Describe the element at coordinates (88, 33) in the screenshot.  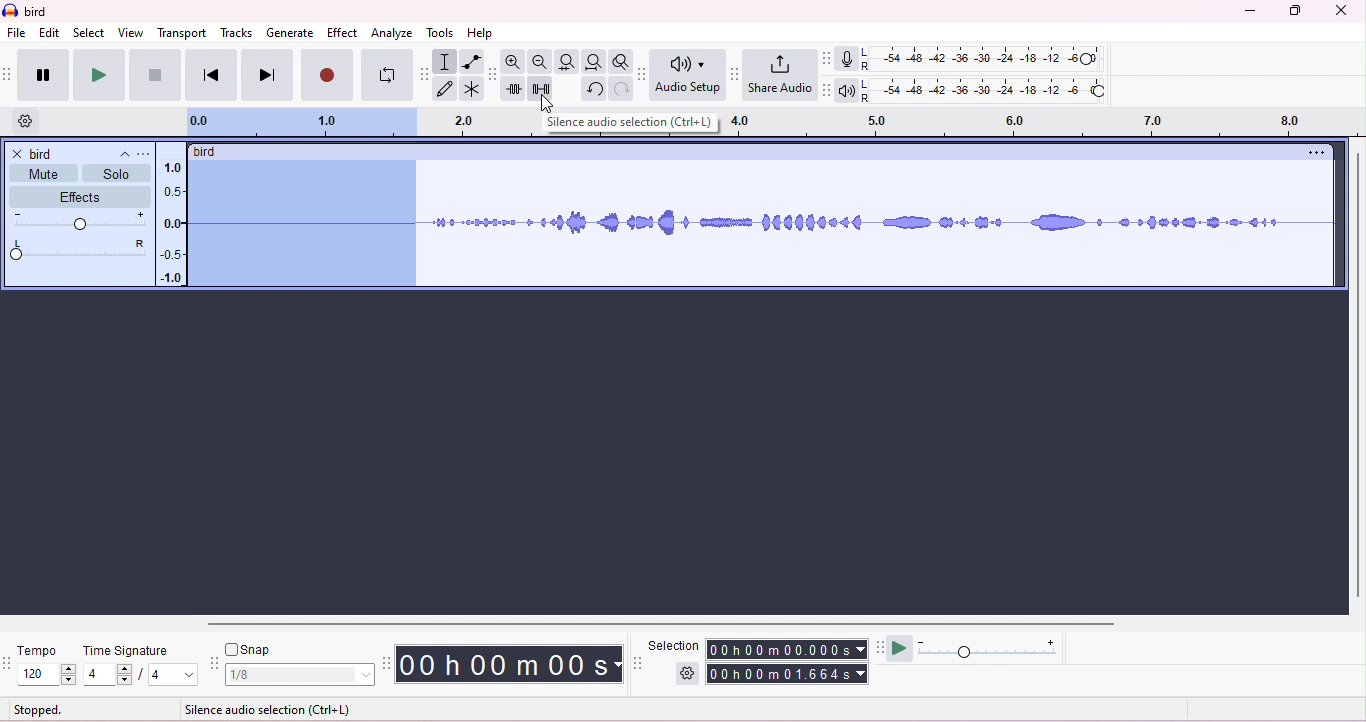
I see `select` at that location.